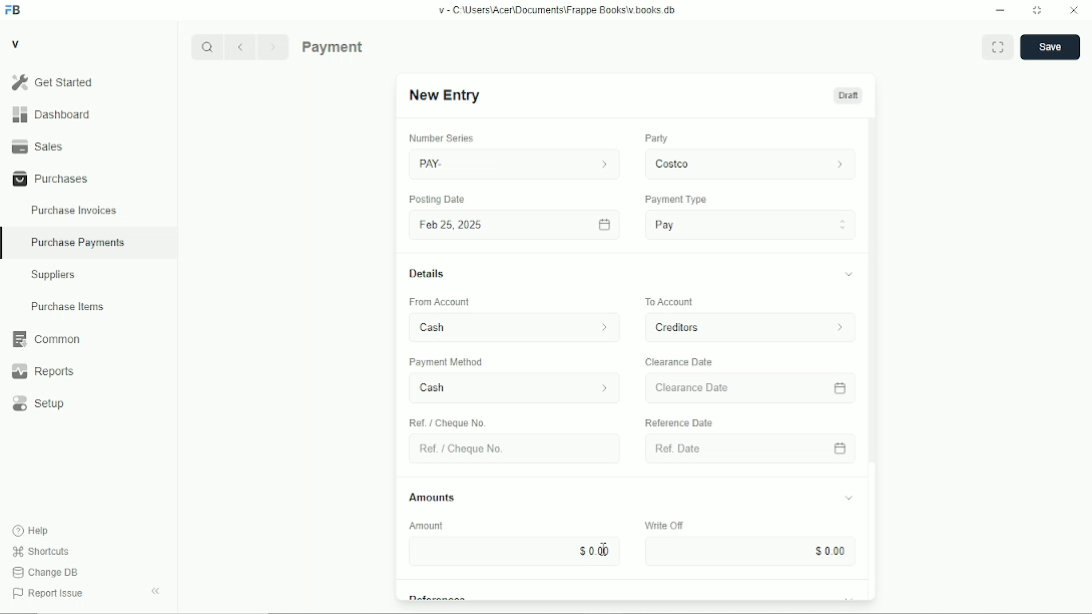 Image resolution: width=1092 pixels, height=614 pixels. Describe the element at coordinates (659, 524) in the screenshot. I see `Write OF` at that location.